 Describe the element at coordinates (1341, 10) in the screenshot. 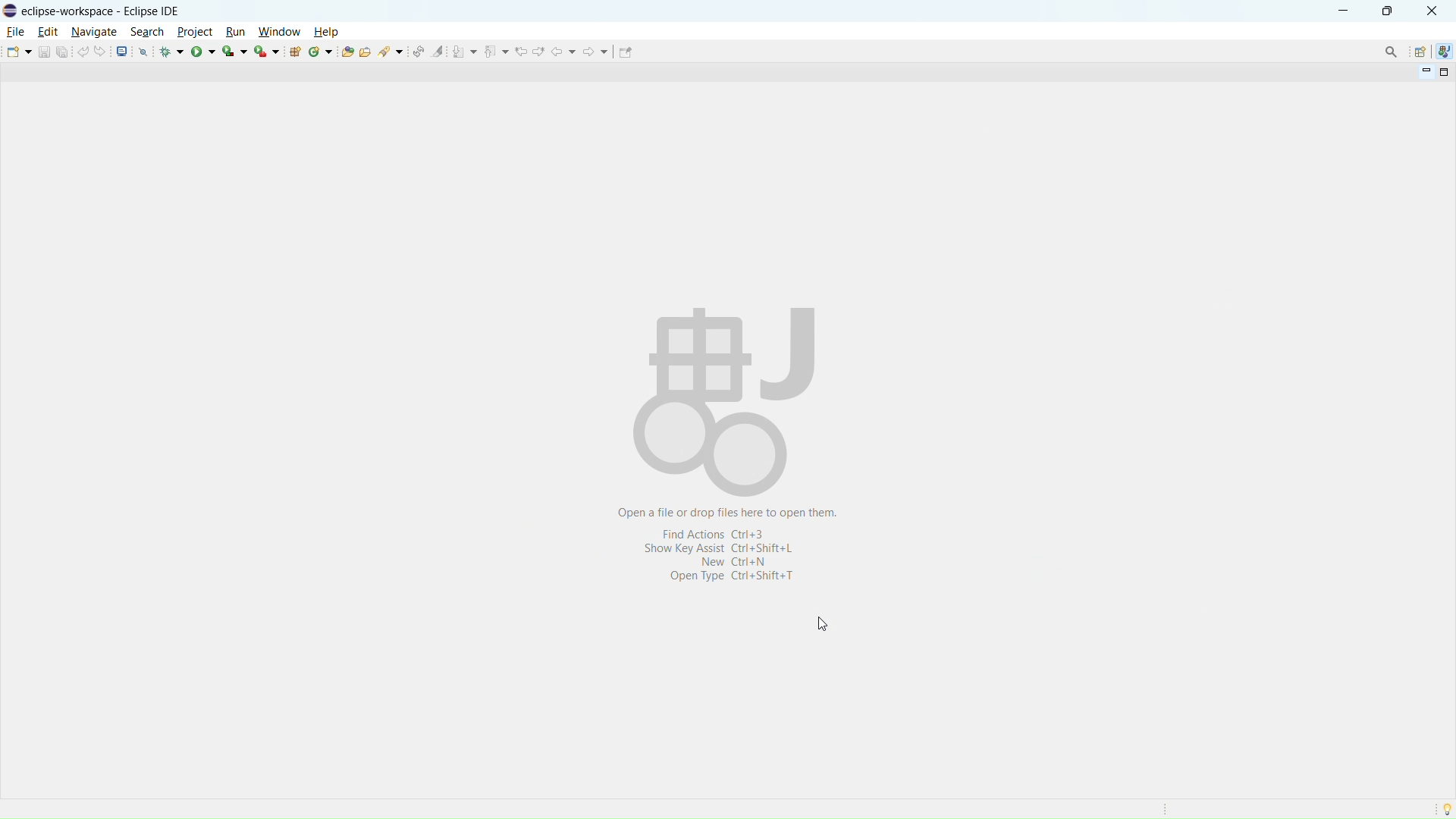

I see `minimize` at that location.